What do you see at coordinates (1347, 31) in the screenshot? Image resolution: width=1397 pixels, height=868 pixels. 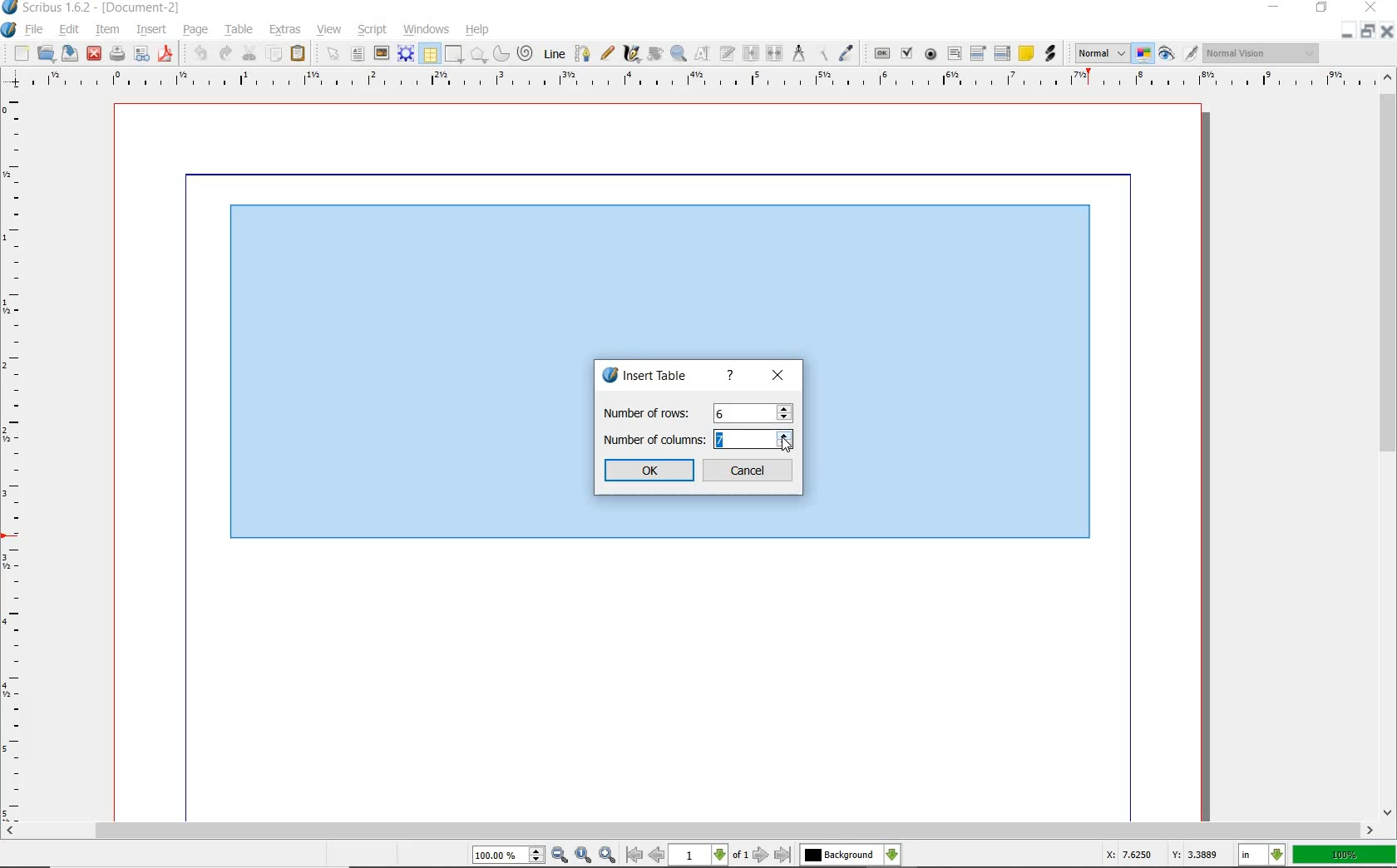 I see `minimize` at bounding box center [1347, 31].